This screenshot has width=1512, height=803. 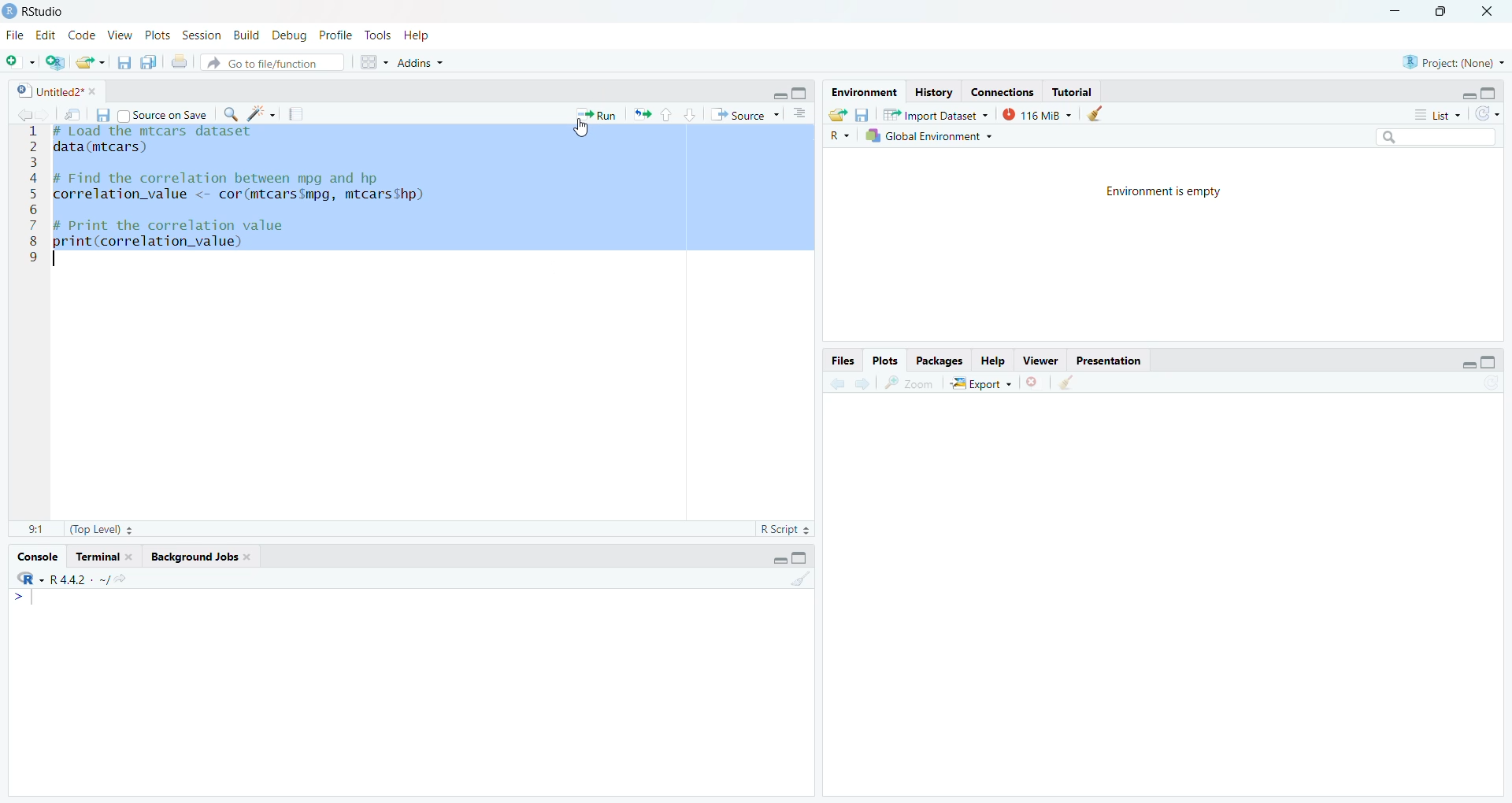 I want to click on Clear console (Ctrl +L), so click(x=1068, y=385).